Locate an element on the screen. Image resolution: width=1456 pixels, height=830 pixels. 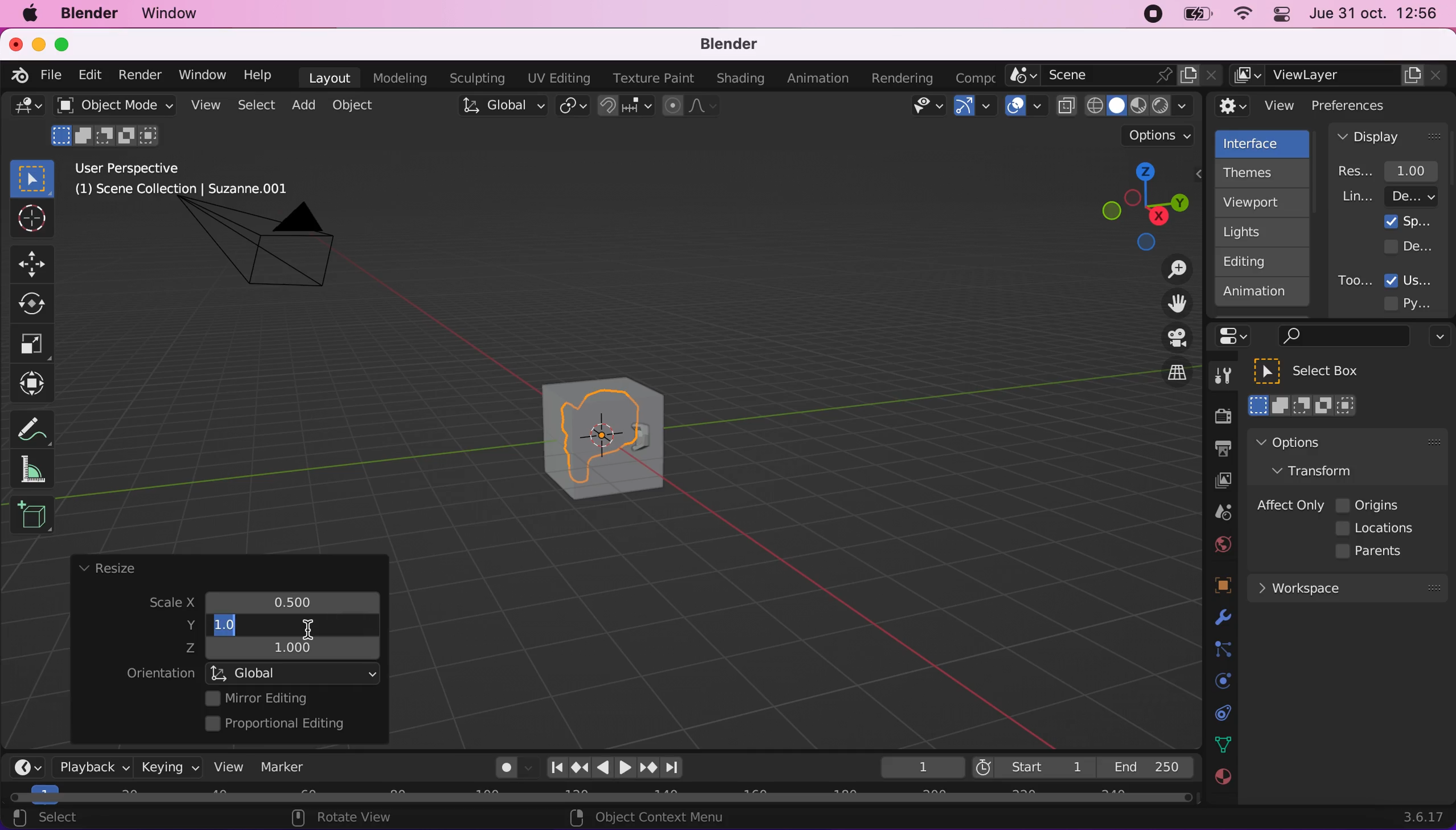
cursor is located at coordinates (306, 632).